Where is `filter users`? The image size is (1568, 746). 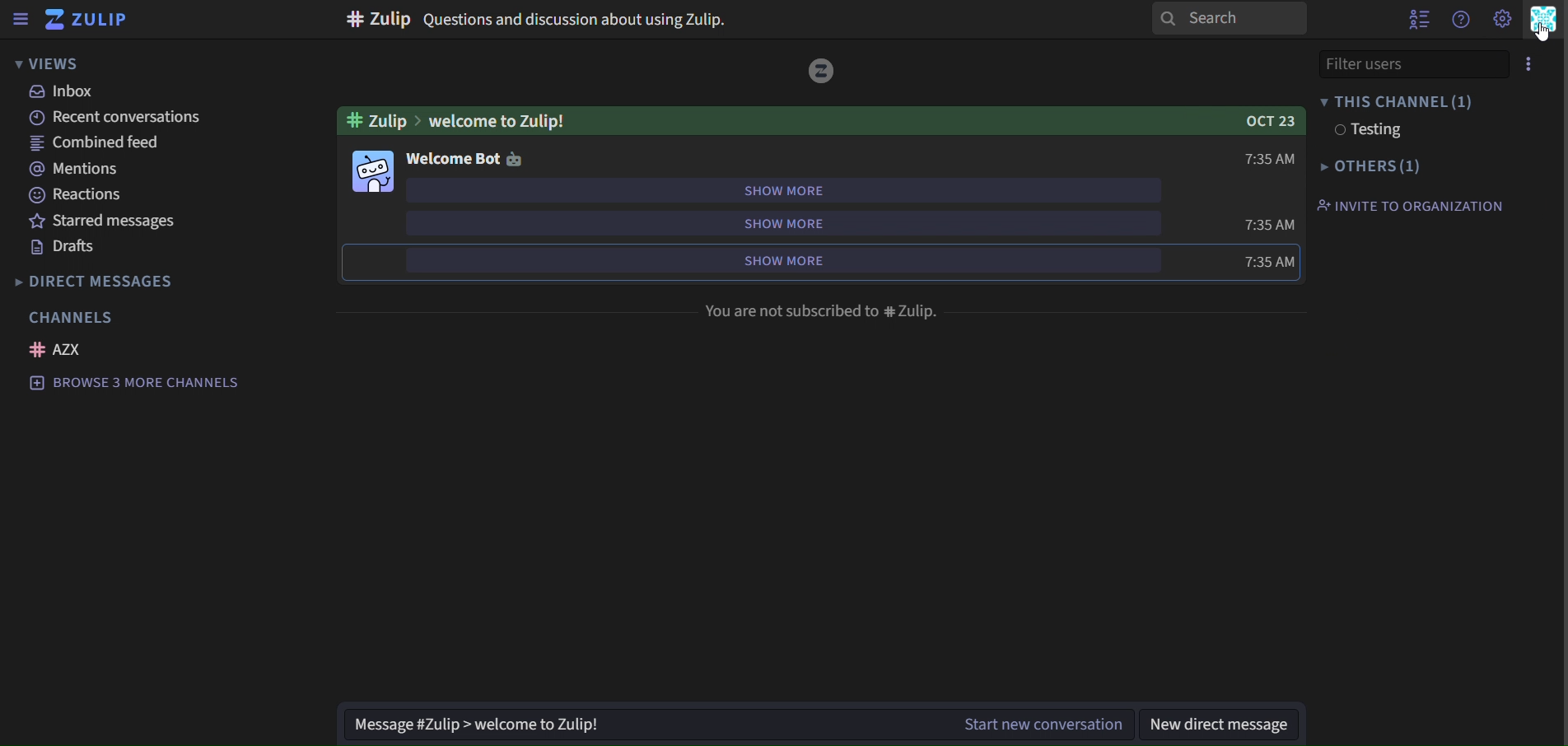 filter users is located at coordinates (1396, 63).